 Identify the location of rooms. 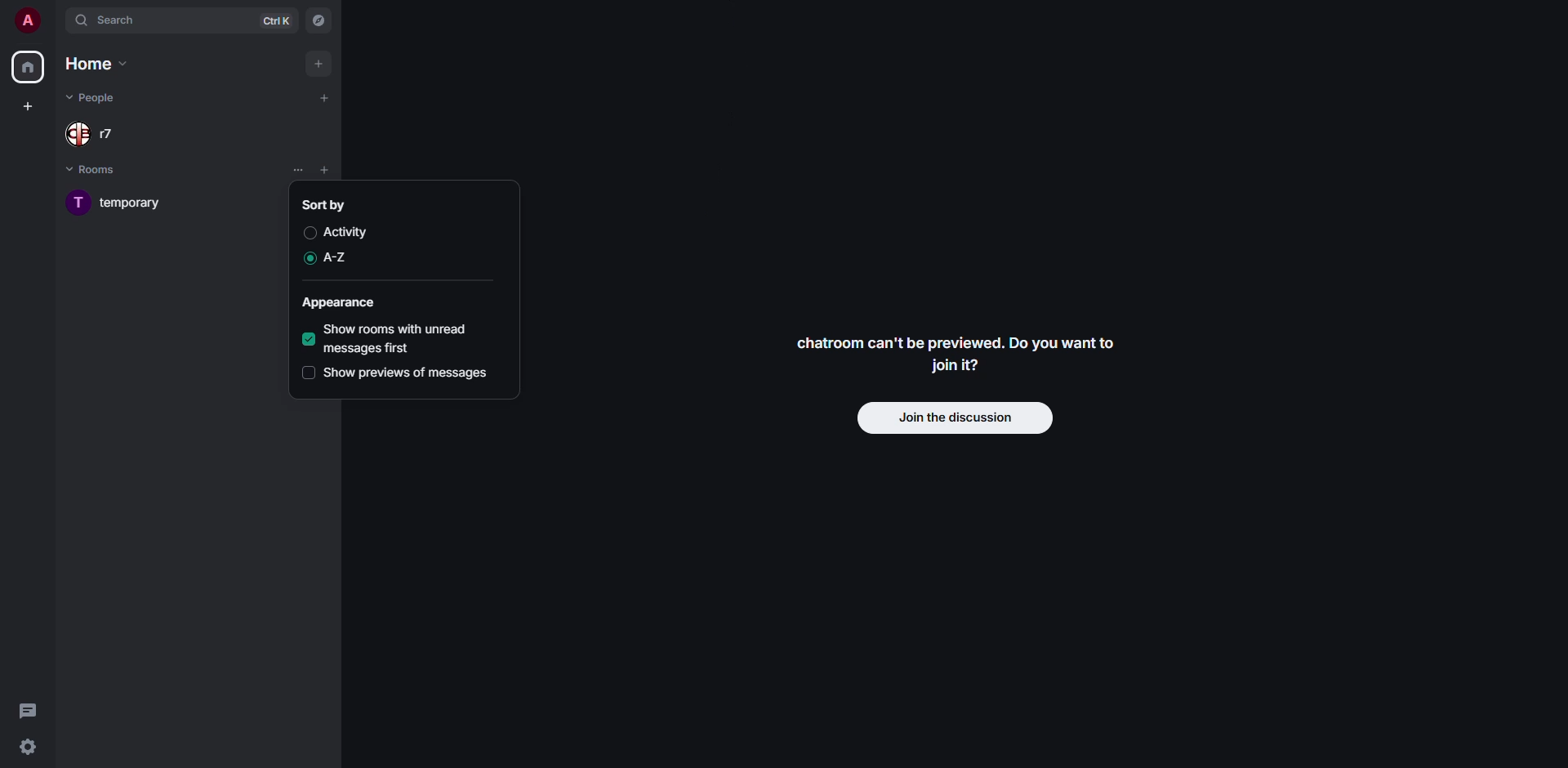
(94, 168).